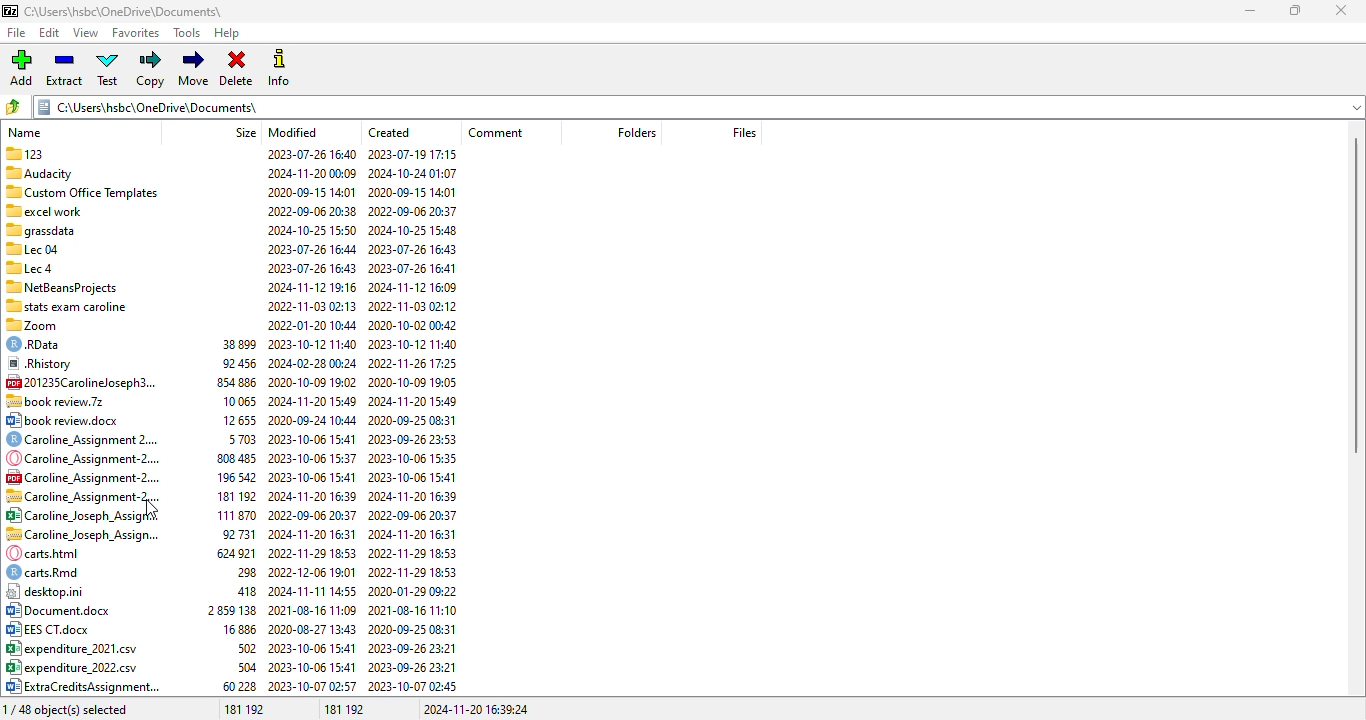 The width and height of the screenshot is (1366, 720). Describe the element at coordinates (232, 458) in the screenshot. I see ` Caroline_Assignment-2.... 808485 2023-10-06 15:37 2023-10-06 15:35` at that location.